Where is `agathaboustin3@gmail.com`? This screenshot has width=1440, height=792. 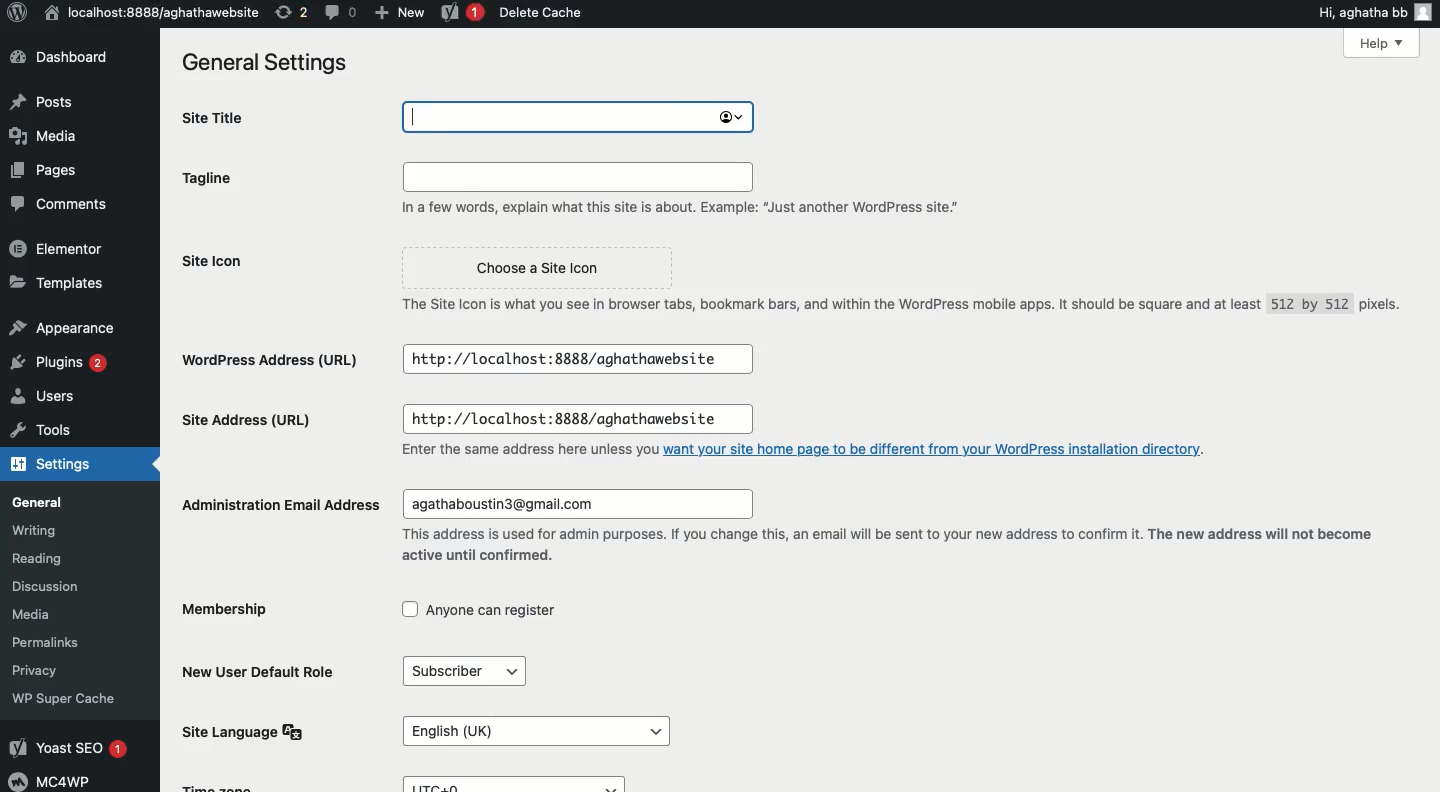
agathaboustin3@gmail.com is located at coordinates (578, 505).